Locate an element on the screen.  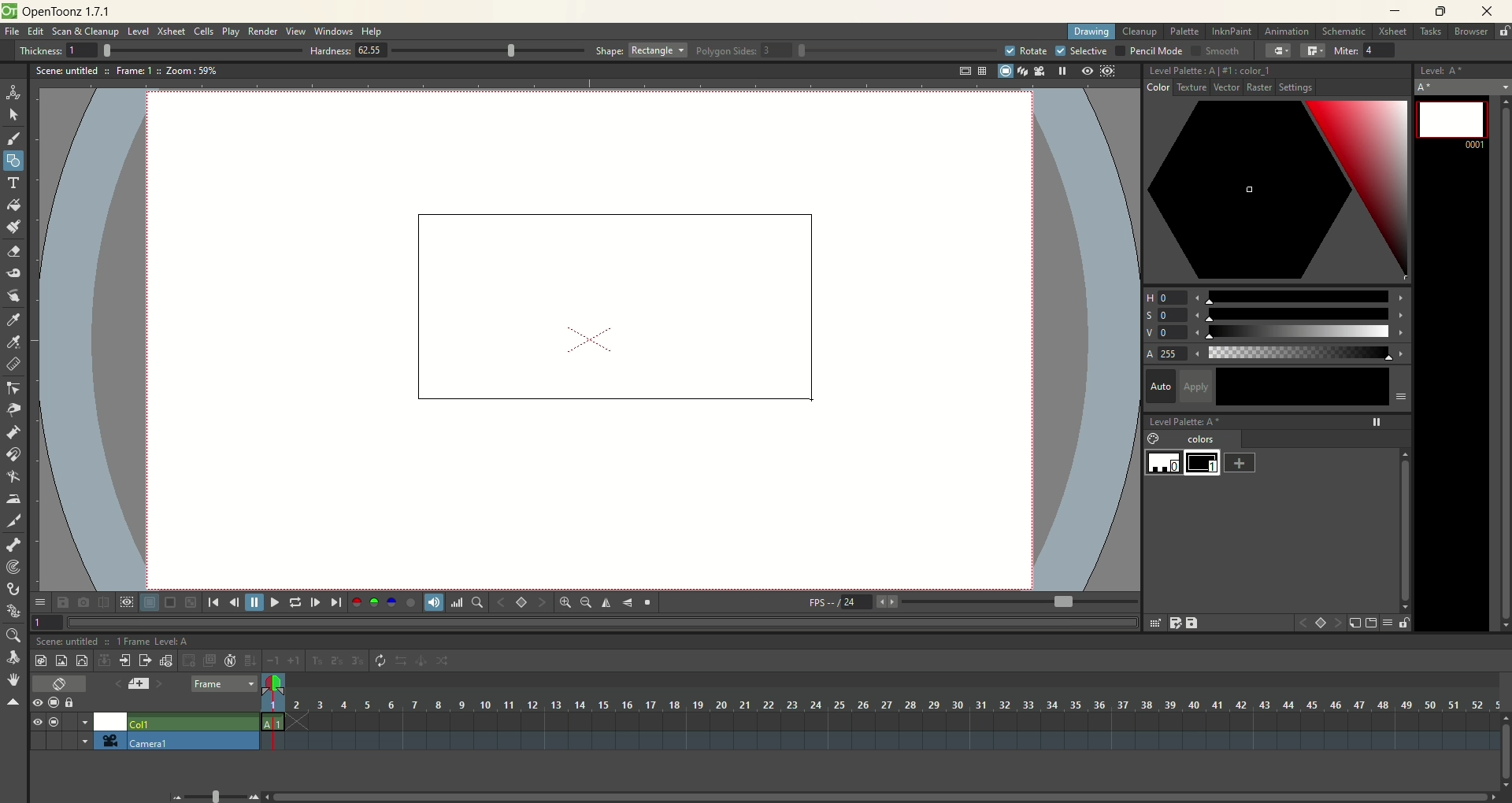
decrease step is located at coordinates (272, 661).